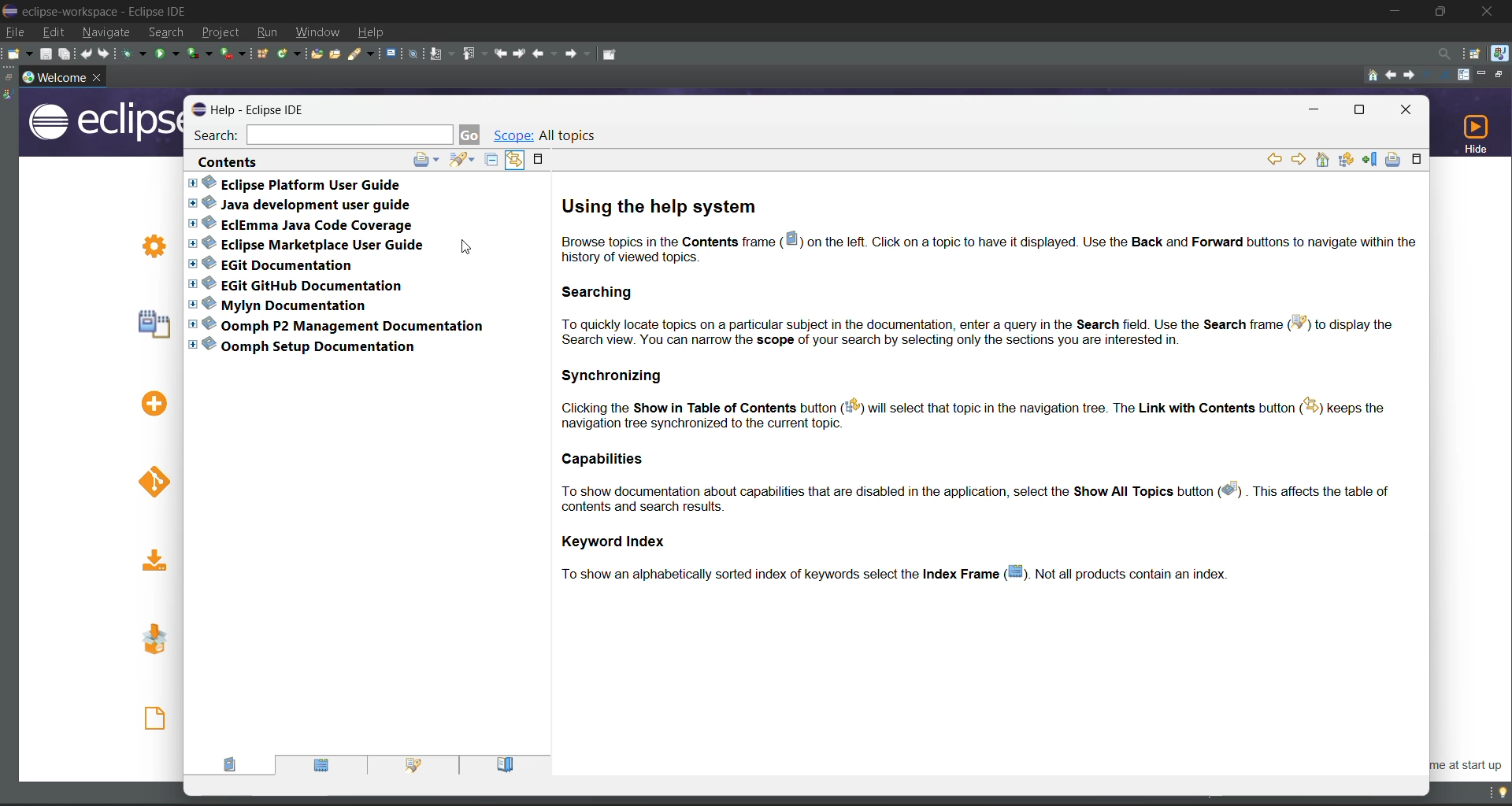 This screenshot has height=806, width=1512. What do you see at coordinates (17, 53) in the screenshot?
I see `new` at bounding box center [17, 53].